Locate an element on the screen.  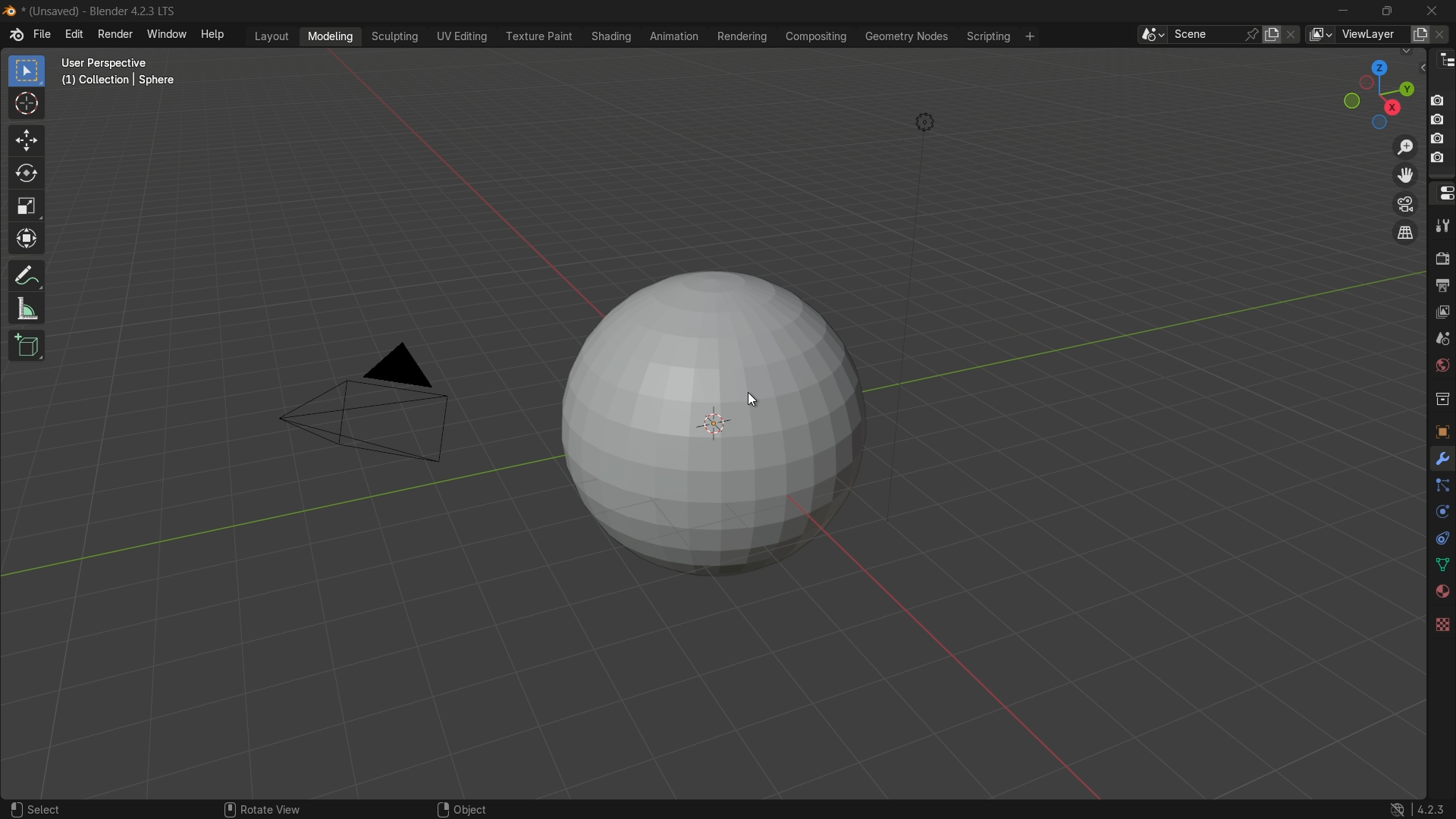
render is located at coordinates (1442, 259).